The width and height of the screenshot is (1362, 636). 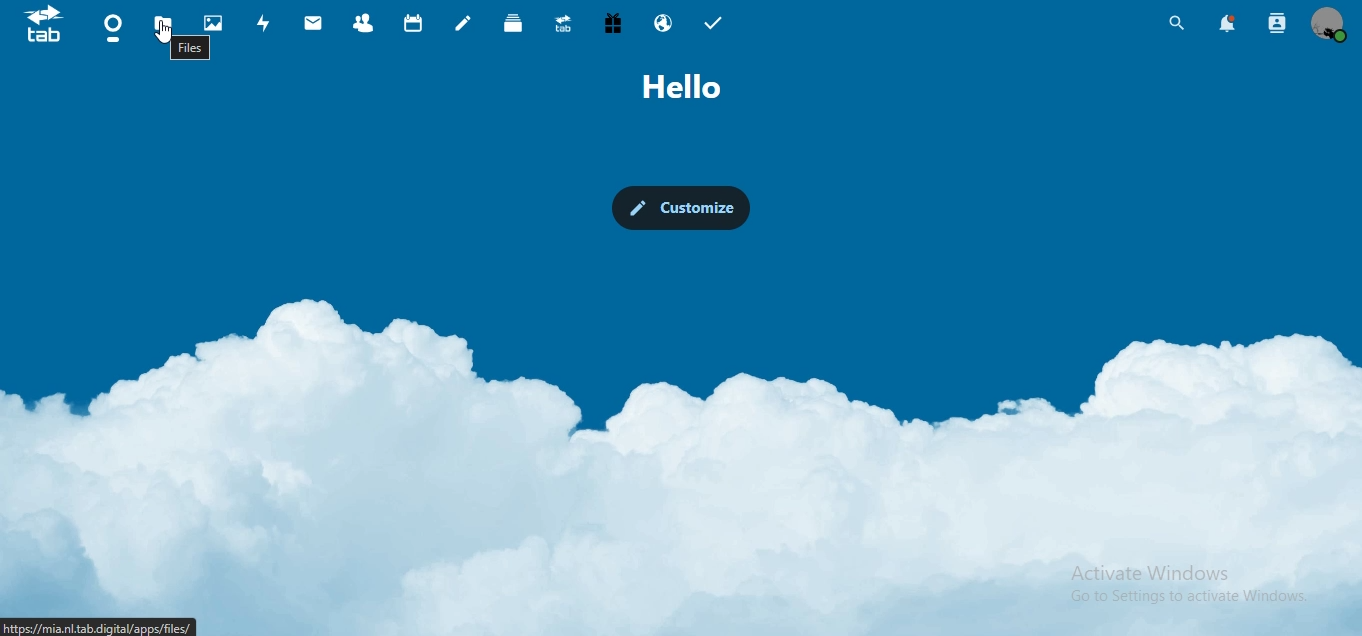 What do you see at coordinates (416, 23) in the screenshot?
I see `calendar` at bounding box center [416, 23].